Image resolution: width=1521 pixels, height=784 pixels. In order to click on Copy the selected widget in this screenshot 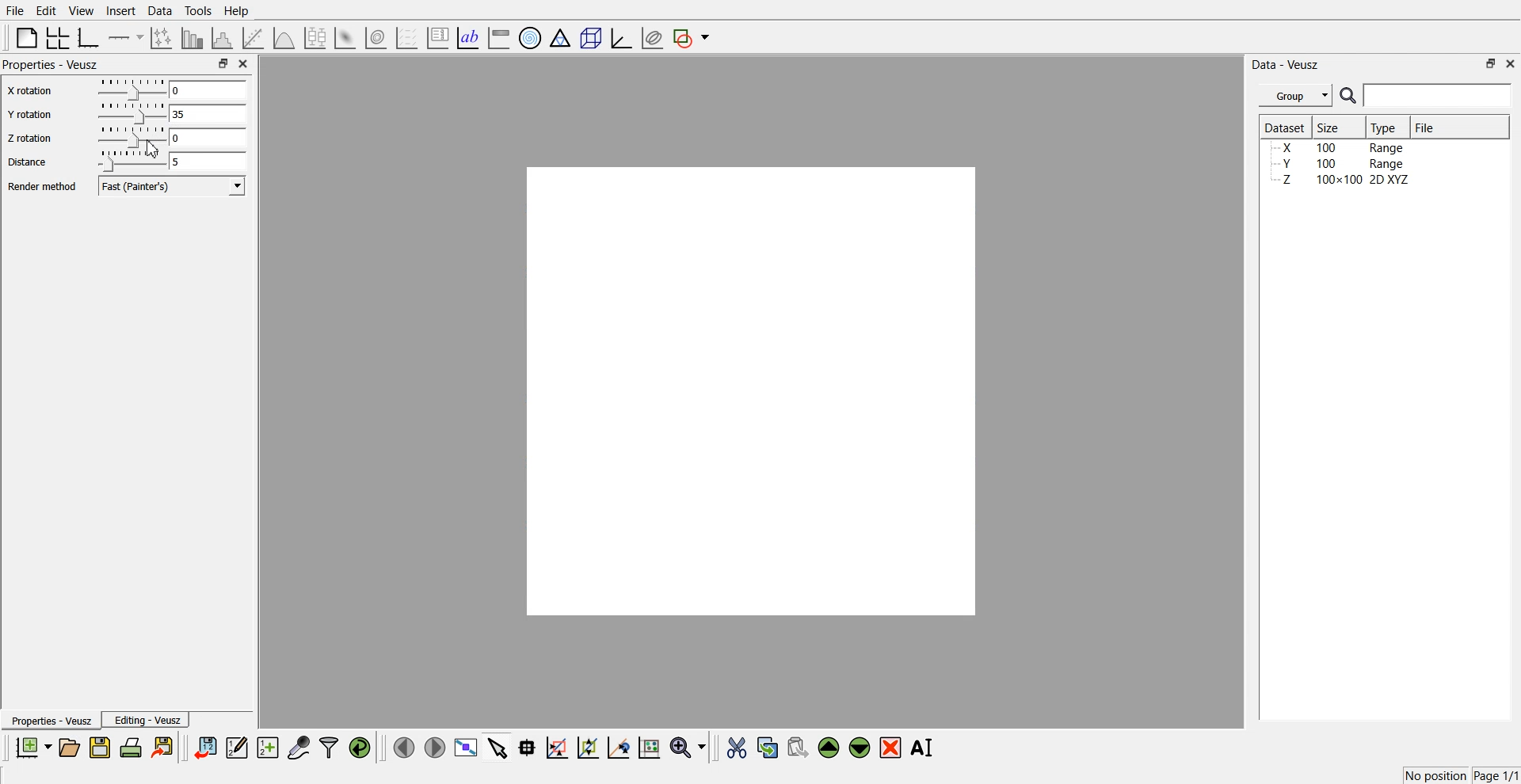, I will do `click(768, 747)`.